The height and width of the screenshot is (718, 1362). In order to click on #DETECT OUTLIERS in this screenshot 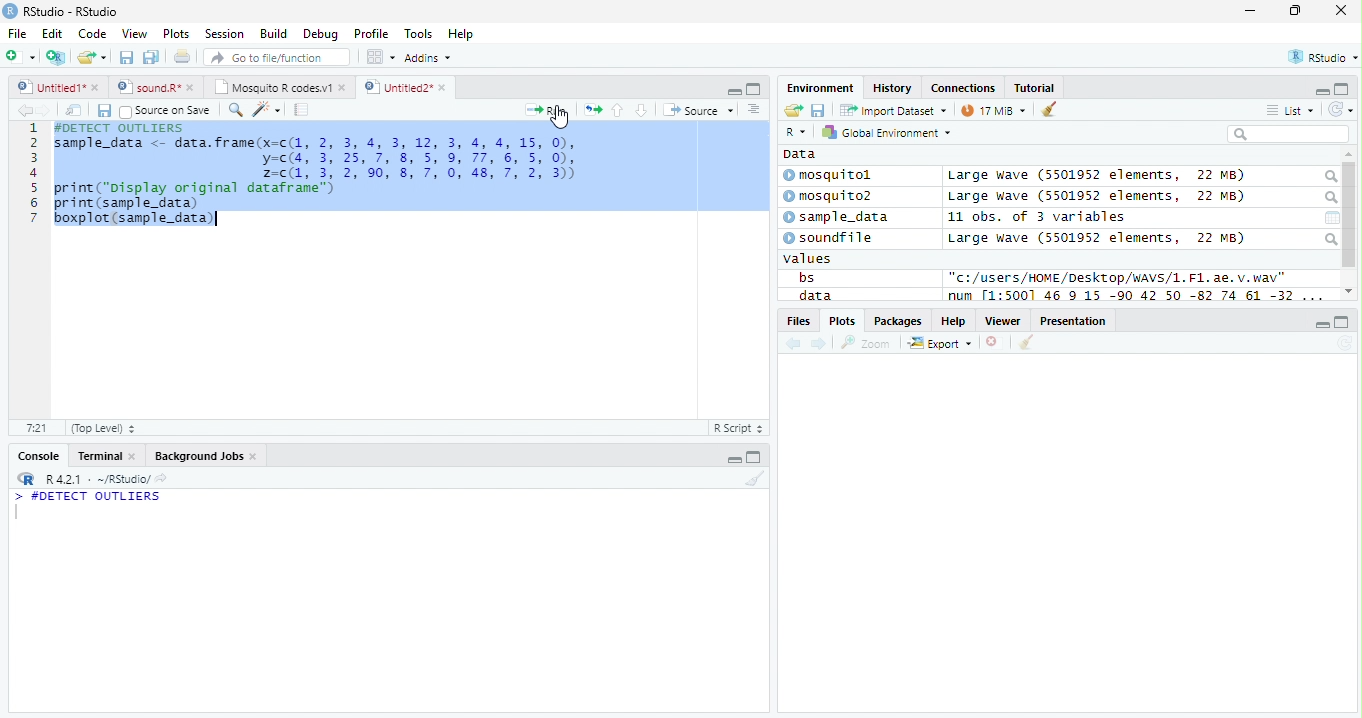, I will do `click(88, 497)`.